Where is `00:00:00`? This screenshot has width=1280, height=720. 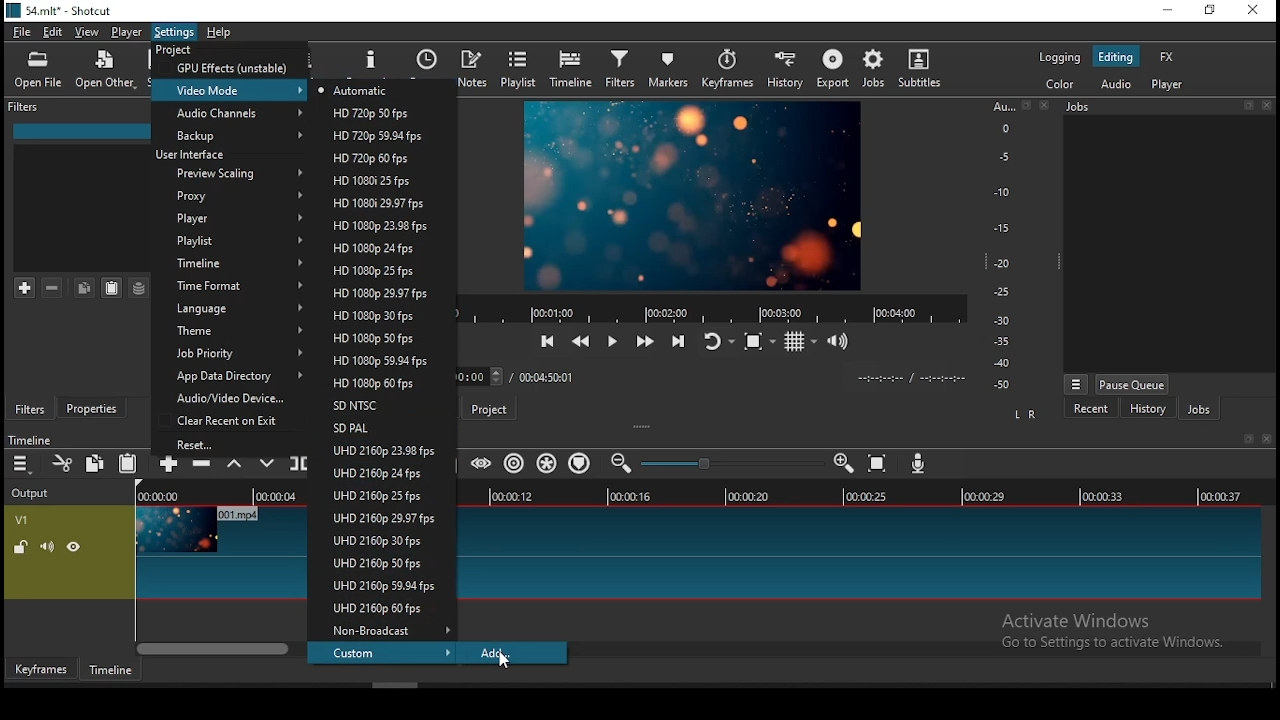
00:00:00 is located at coordinates (155, 496).